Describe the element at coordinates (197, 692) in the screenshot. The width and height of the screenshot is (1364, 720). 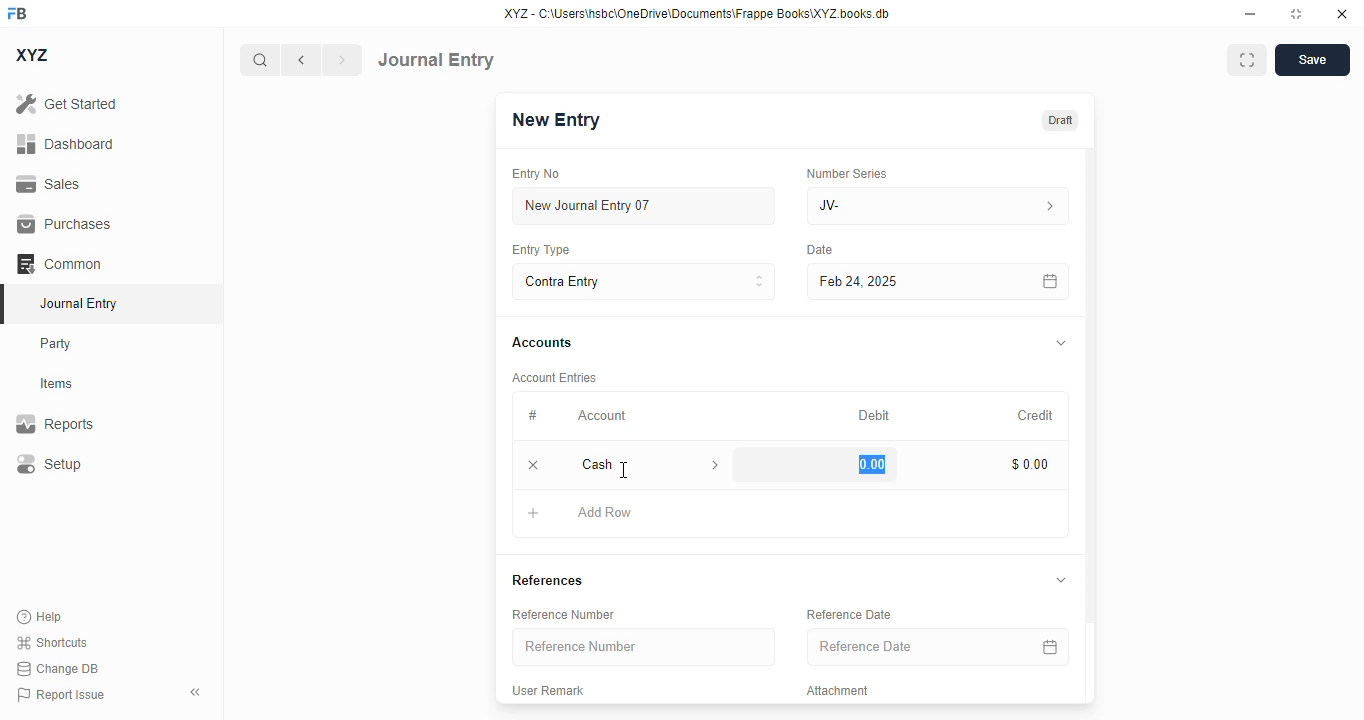
I see `toggle sidebar` at that location.